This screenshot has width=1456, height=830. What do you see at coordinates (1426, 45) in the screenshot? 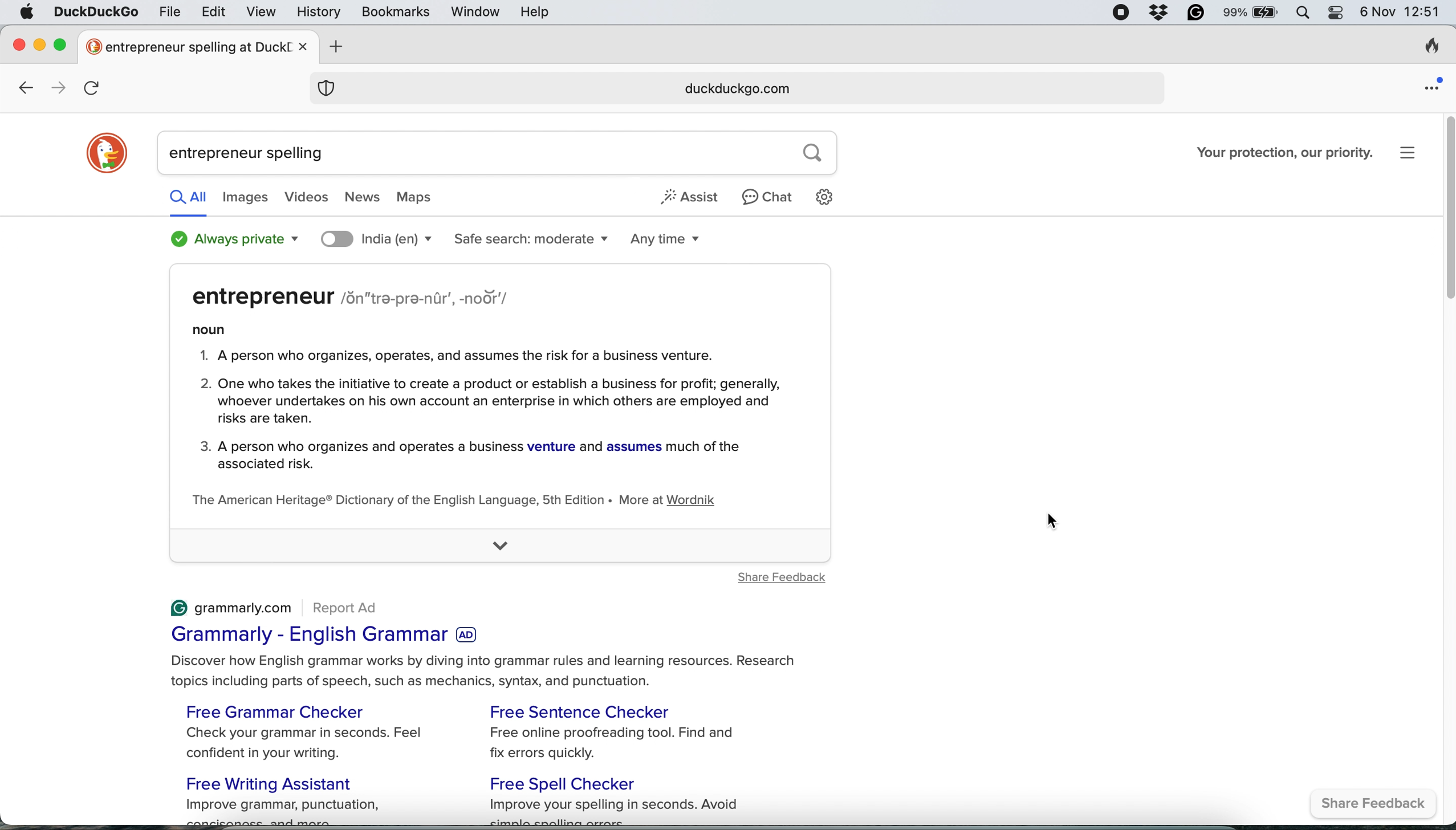
I see `clear browsing history` at bounding box center [1426, 45].